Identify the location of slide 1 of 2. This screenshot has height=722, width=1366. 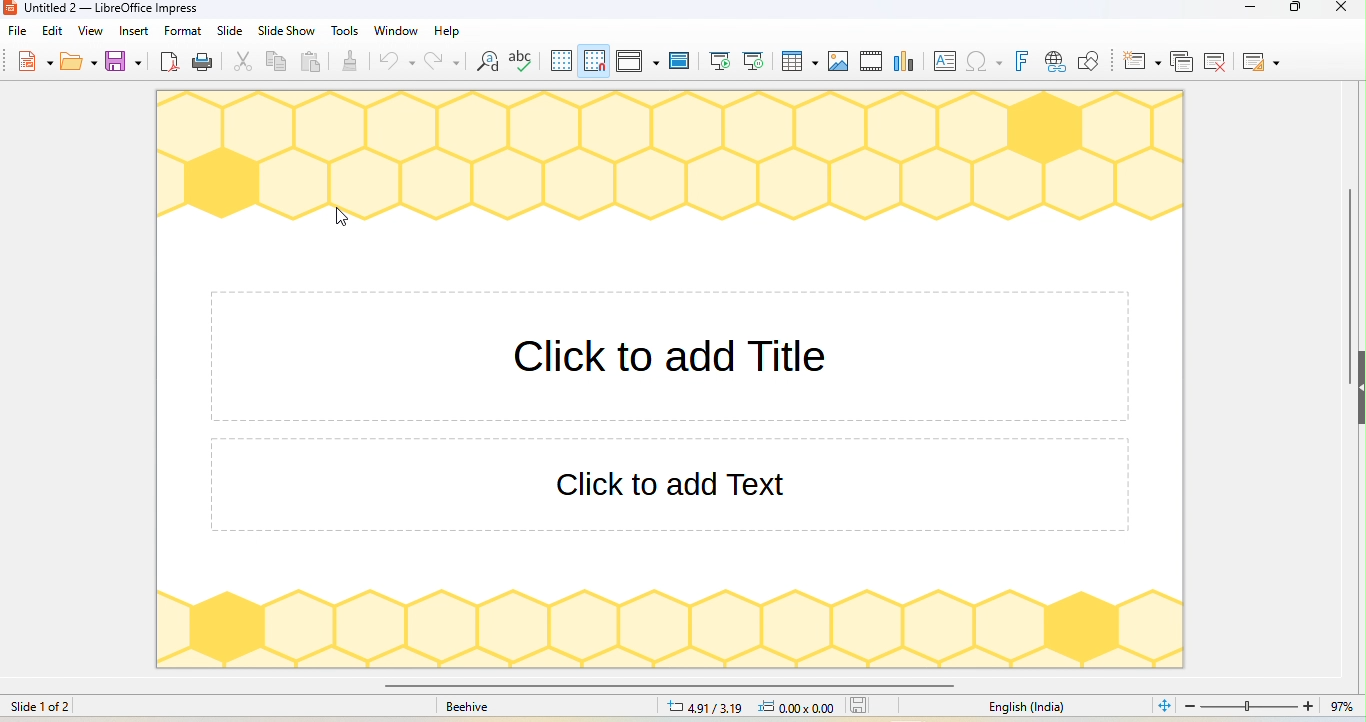
(42, 706).